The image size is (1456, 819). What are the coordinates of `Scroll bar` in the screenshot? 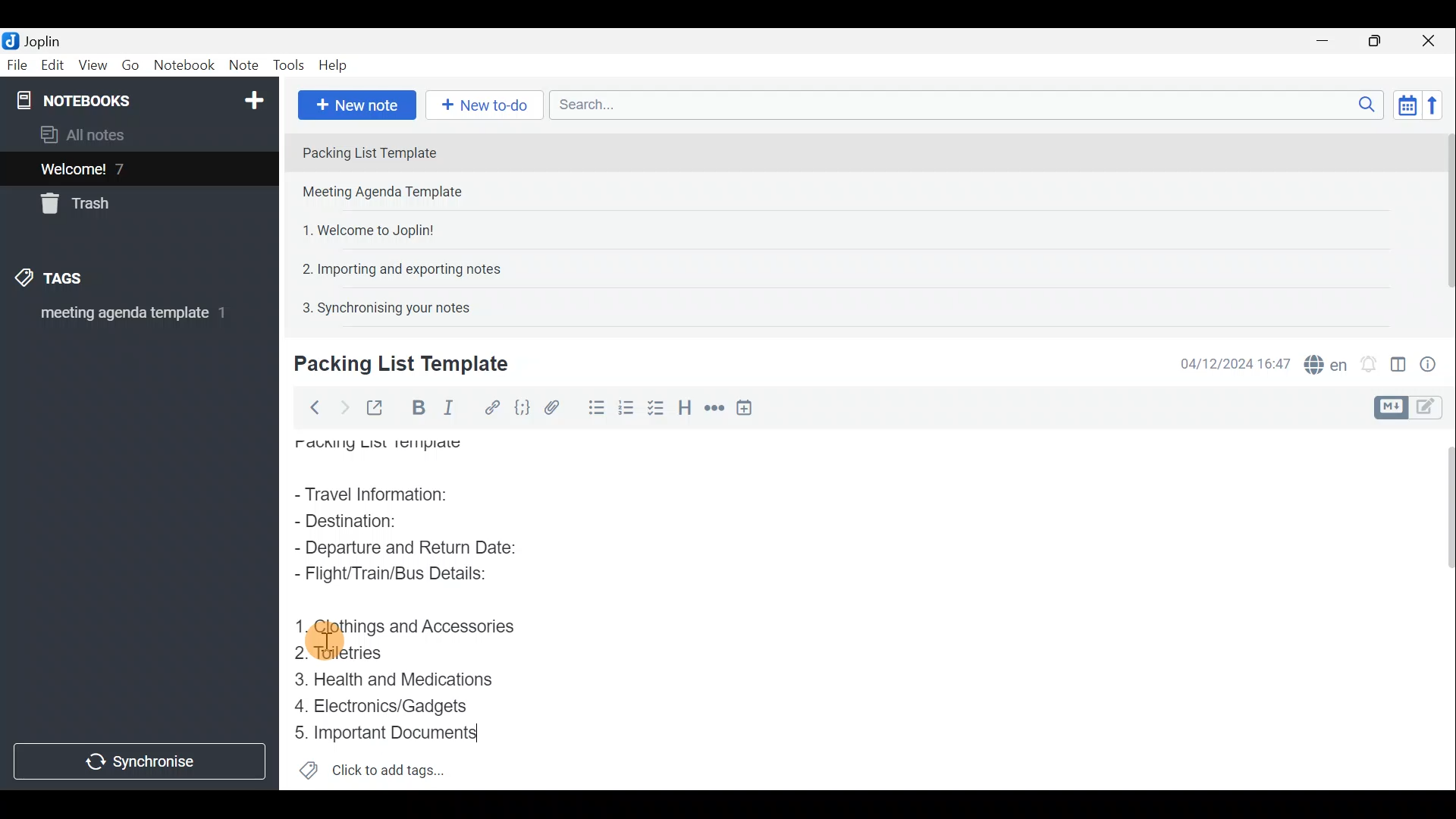 It's located at (1442, 607).